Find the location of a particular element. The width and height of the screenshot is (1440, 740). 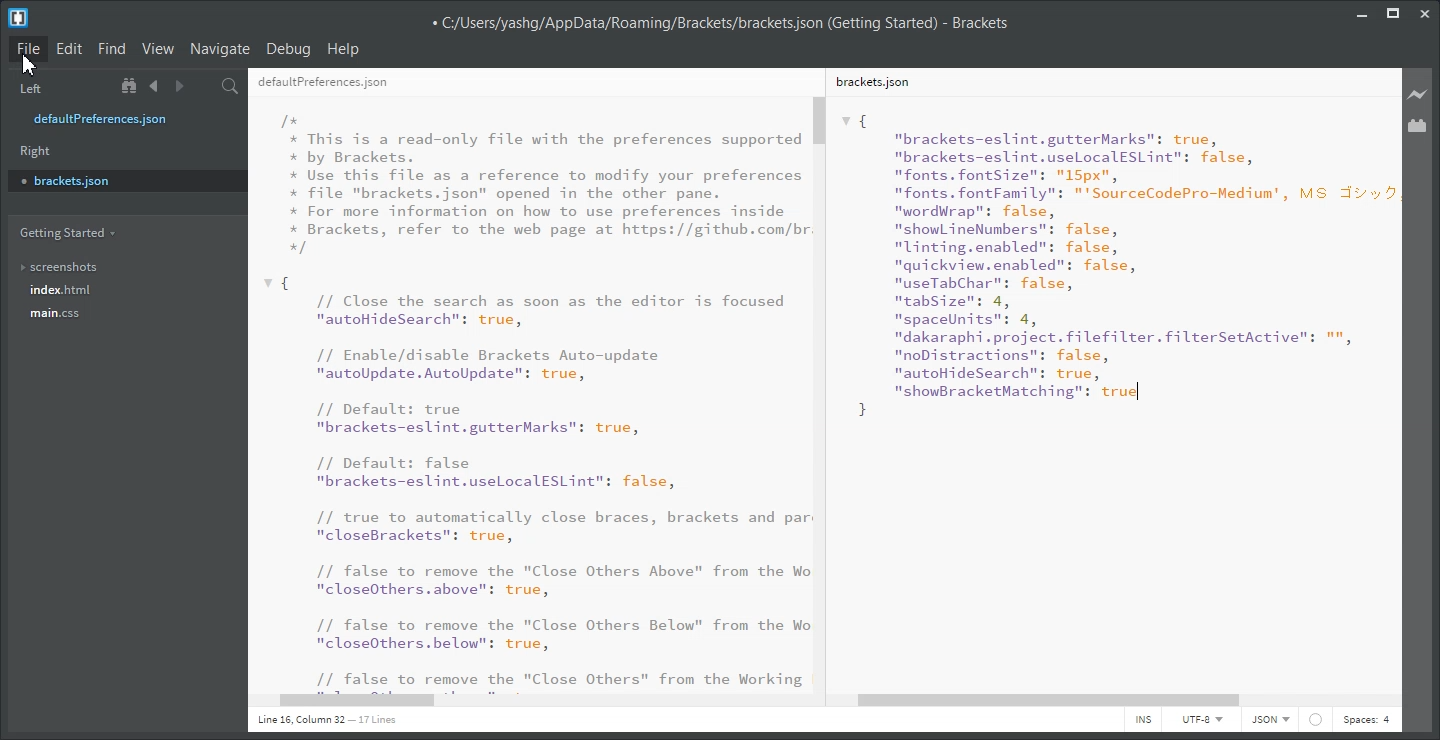

brackets.json is located at coordinates (871, 81).